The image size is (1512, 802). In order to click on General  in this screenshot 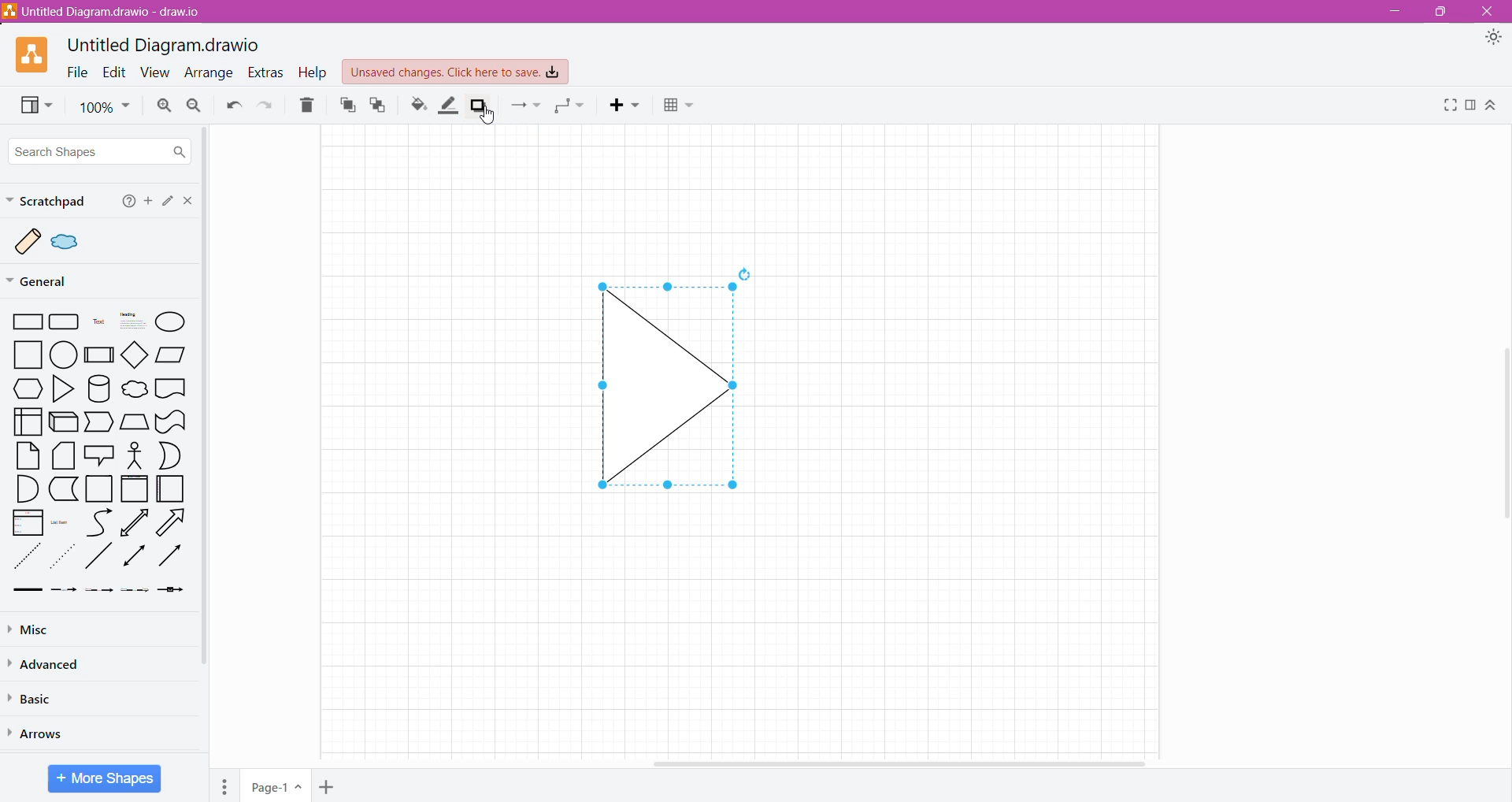, I will do `click(49, 282)`.